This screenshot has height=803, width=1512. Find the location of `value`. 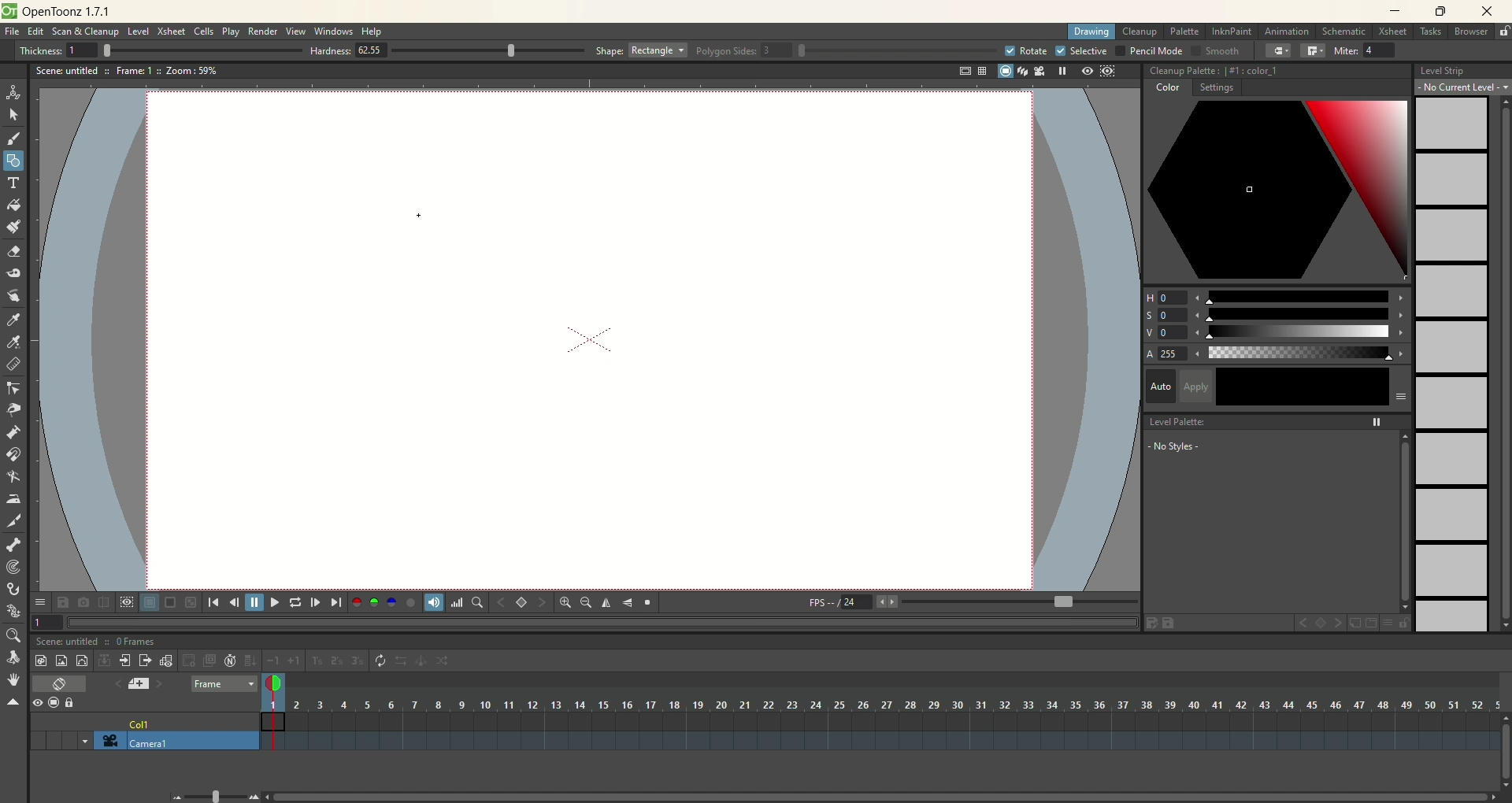

value is located at coordinates (1277, 333).